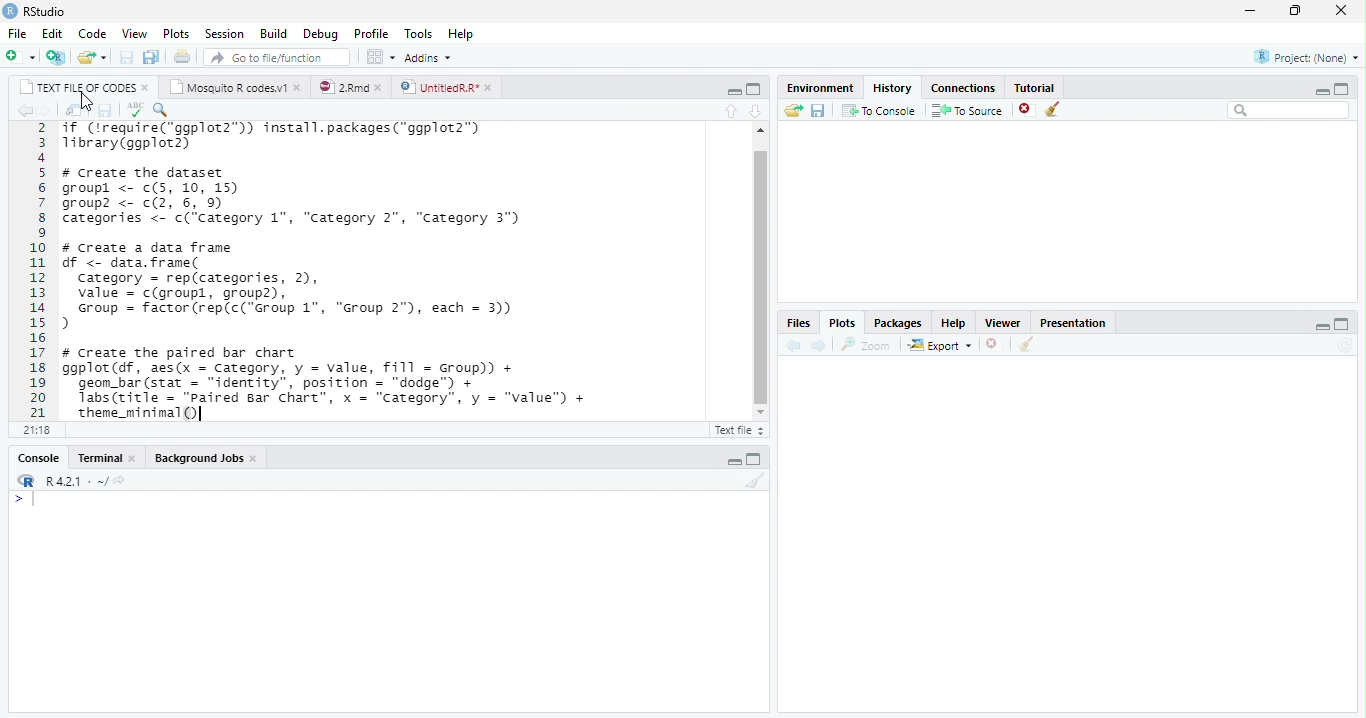  I want to click on help, so click(954, 321).